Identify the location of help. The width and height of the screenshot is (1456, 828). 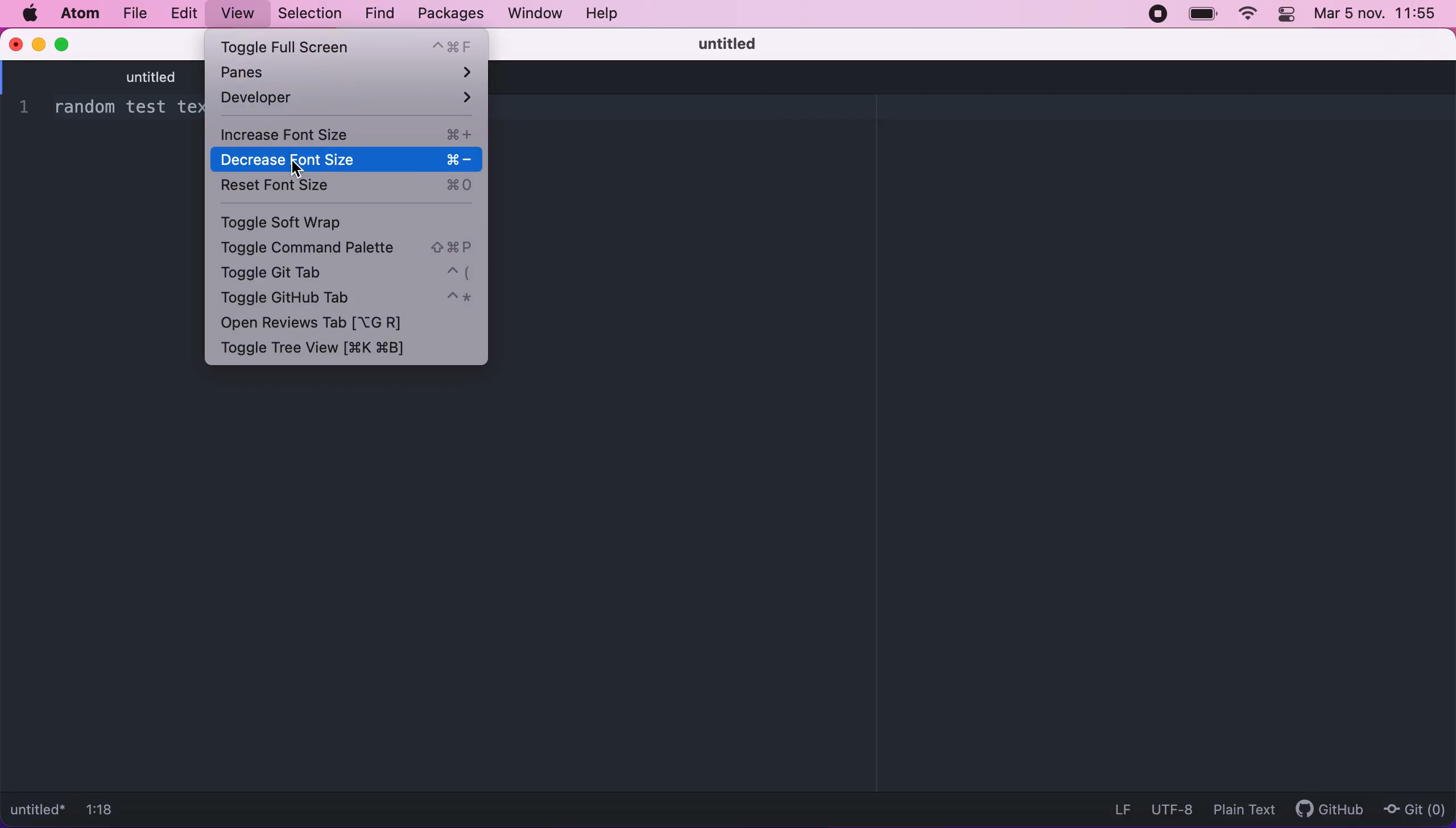
(604, 13).